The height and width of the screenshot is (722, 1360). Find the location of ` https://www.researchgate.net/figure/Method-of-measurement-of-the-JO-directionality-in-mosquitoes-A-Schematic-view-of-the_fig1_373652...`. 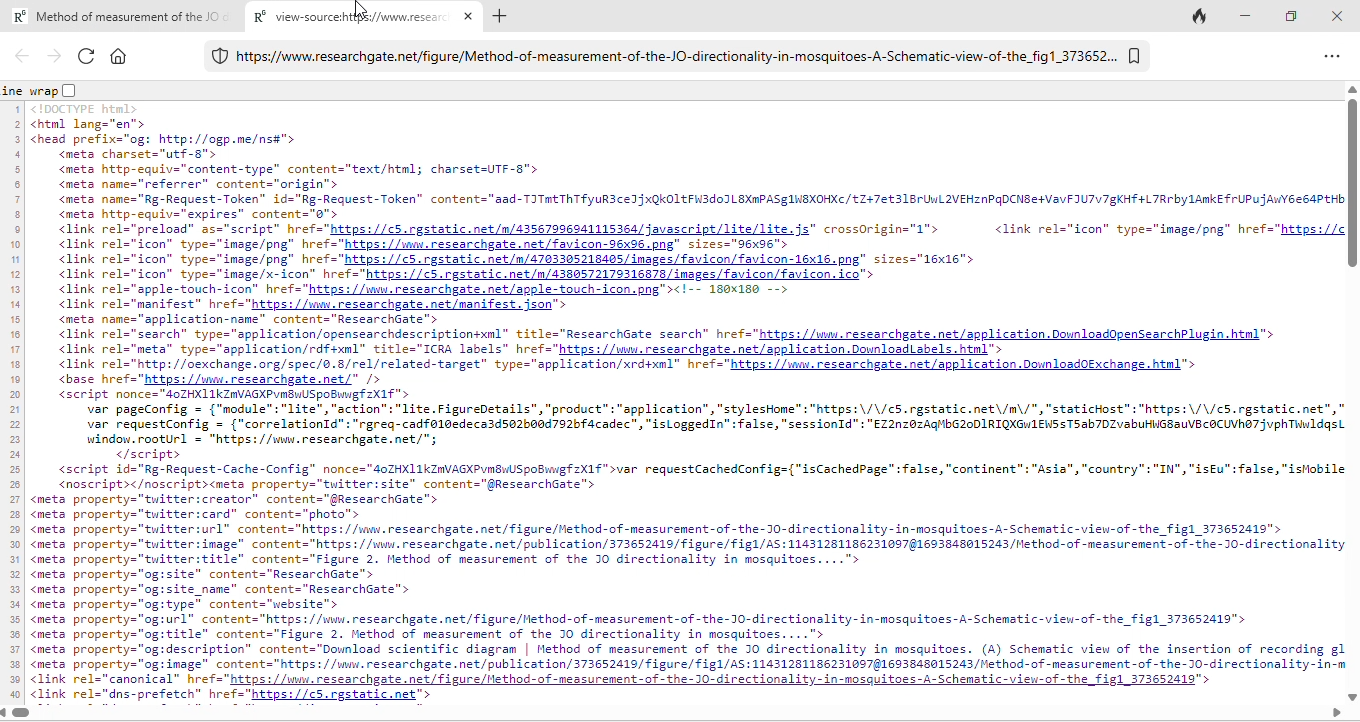

 https://www.researchgate.net/figure/Method-of-measurement-of-the-JO-directionality-in-mosquitoes-A-Schematic-view-of-the_fig1_373652... is located at coordinates (678, 55).